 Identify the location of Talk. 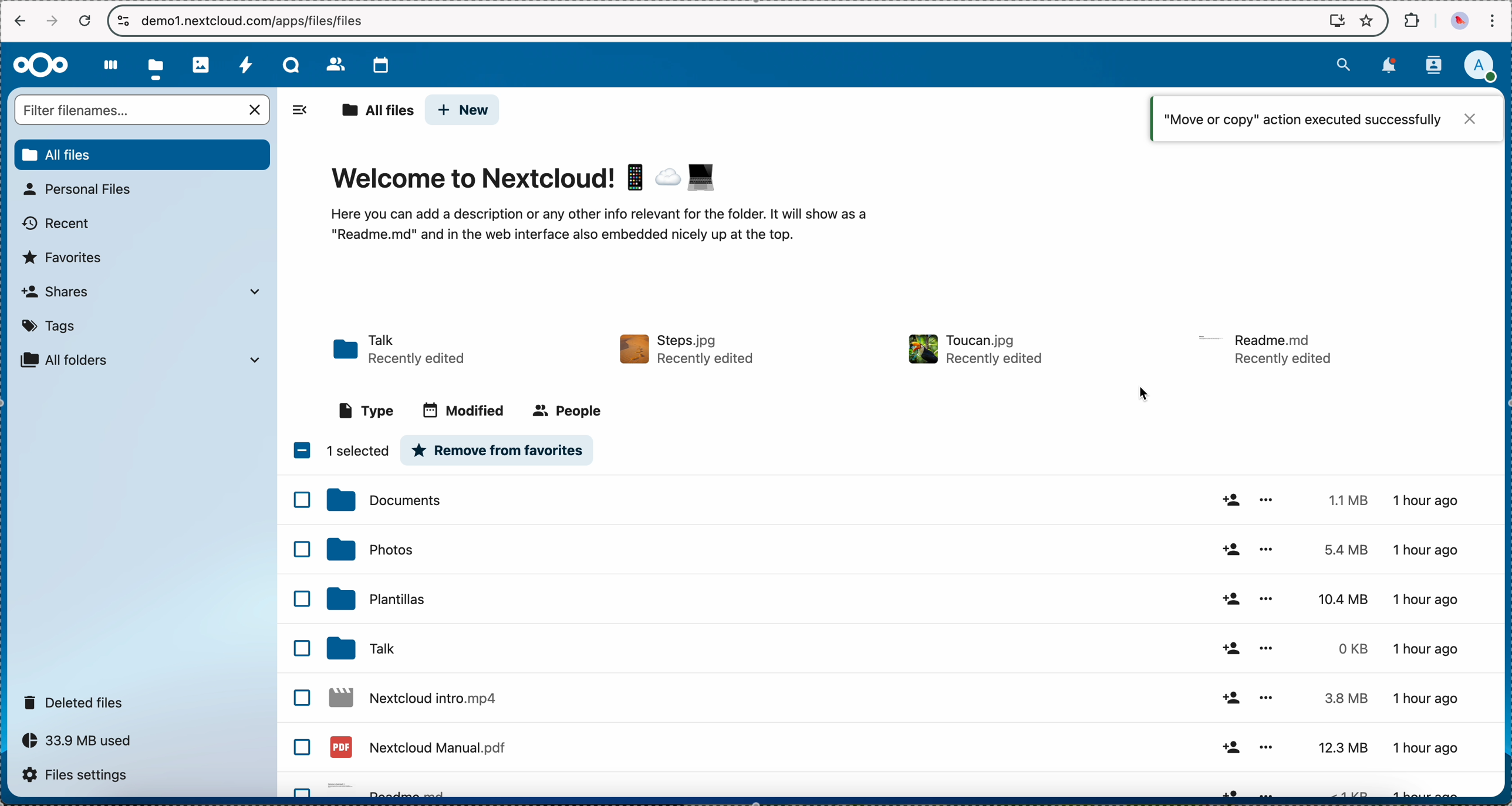
(291, 63).